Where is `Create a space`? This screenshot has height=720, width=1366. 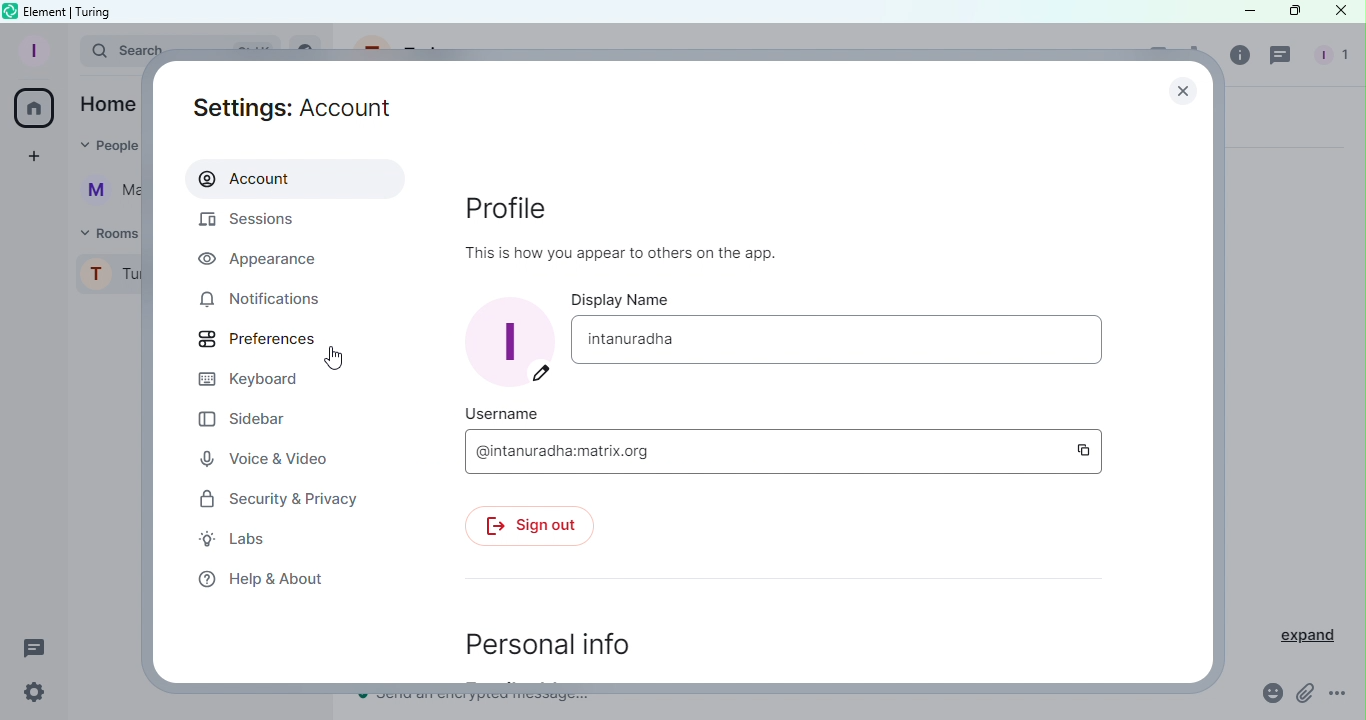 Create a space is located at coordinates (37, 156).